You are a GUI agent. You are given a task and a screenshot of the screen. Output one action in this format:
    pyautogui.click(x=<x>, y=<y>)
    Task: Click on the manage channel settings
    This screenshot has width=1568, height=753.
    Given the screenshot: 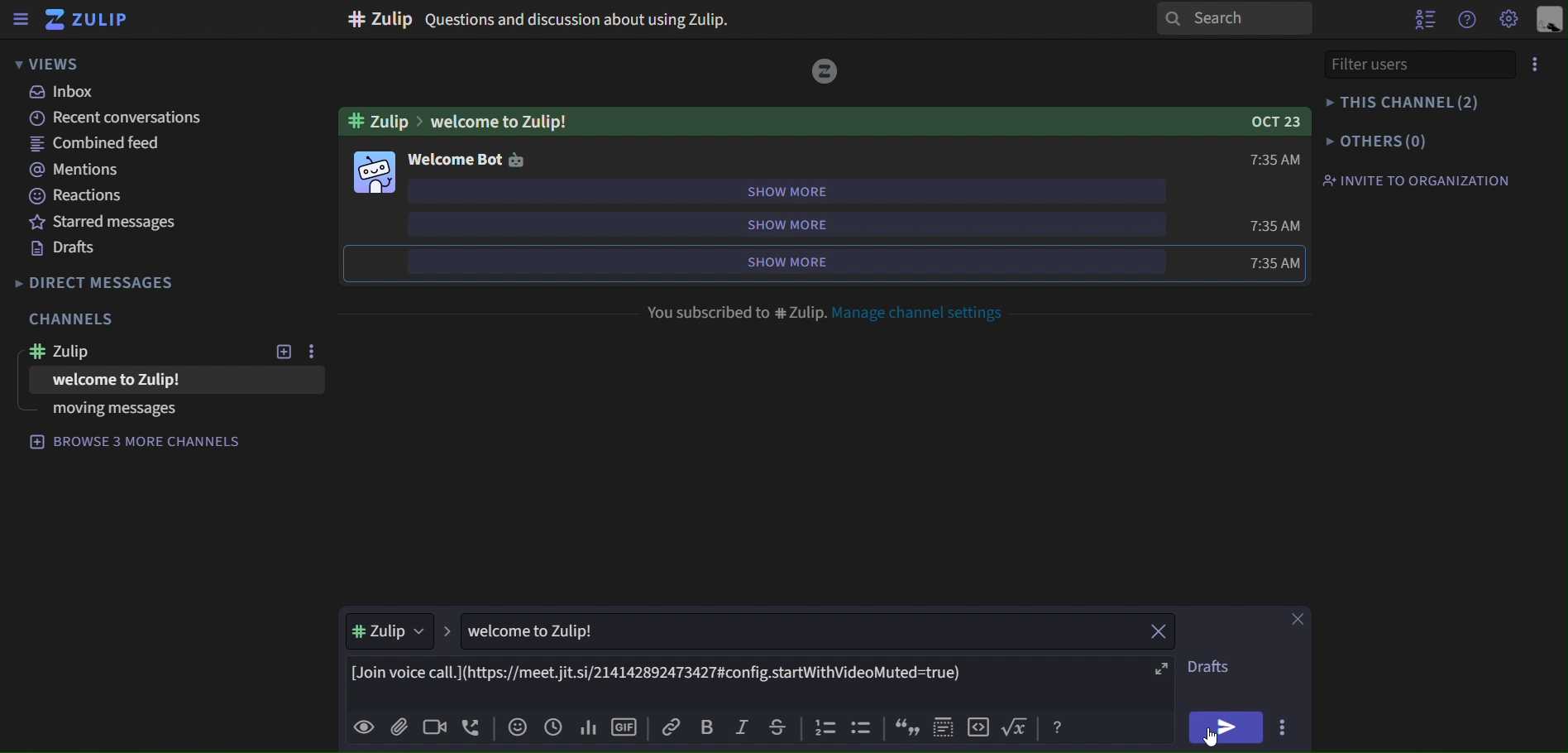 What is the action you would take?
    pyautogui.click(x=927, y=312)
    